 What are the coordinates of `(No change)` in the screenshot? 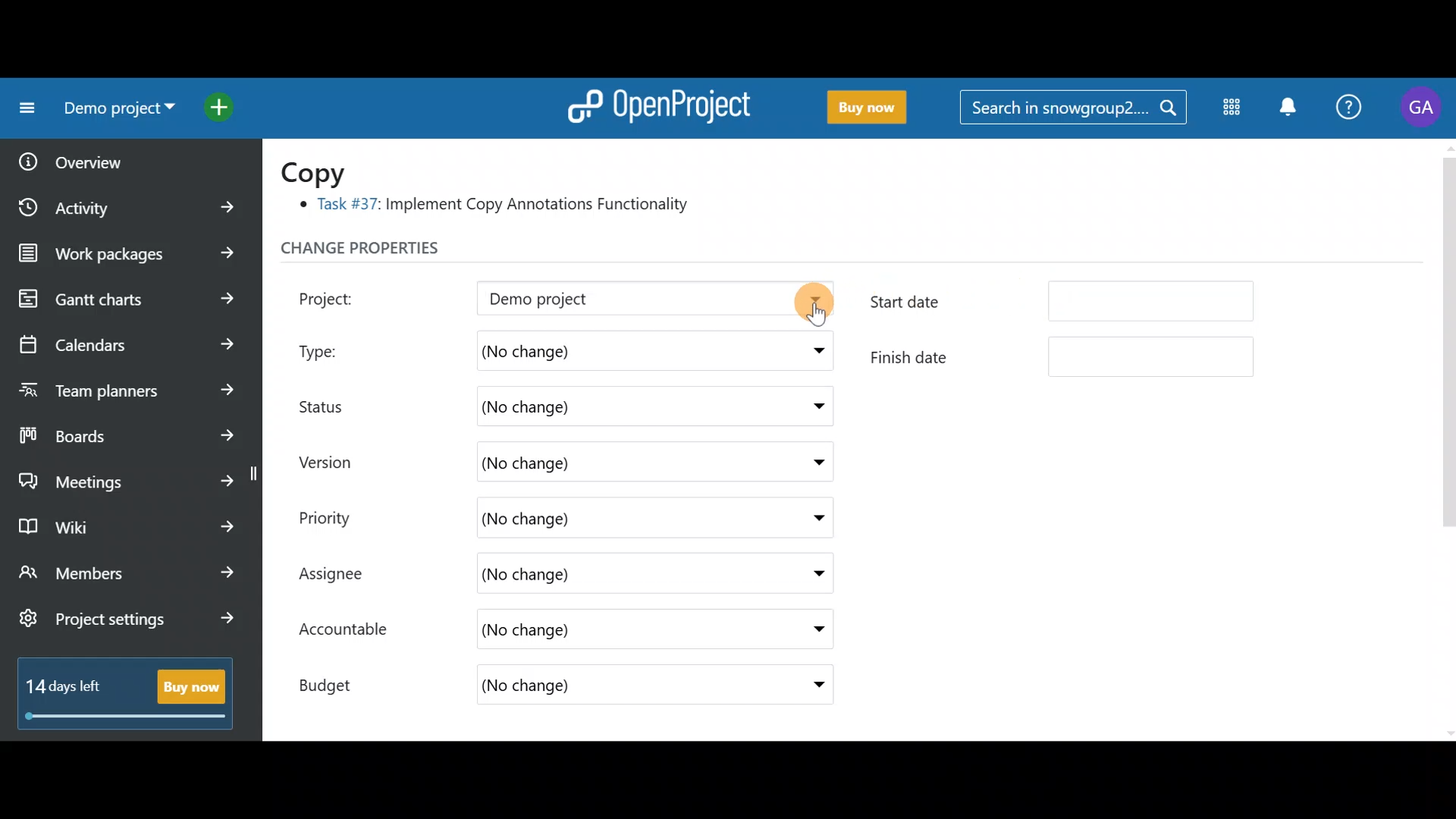 It's located at (601, 460).